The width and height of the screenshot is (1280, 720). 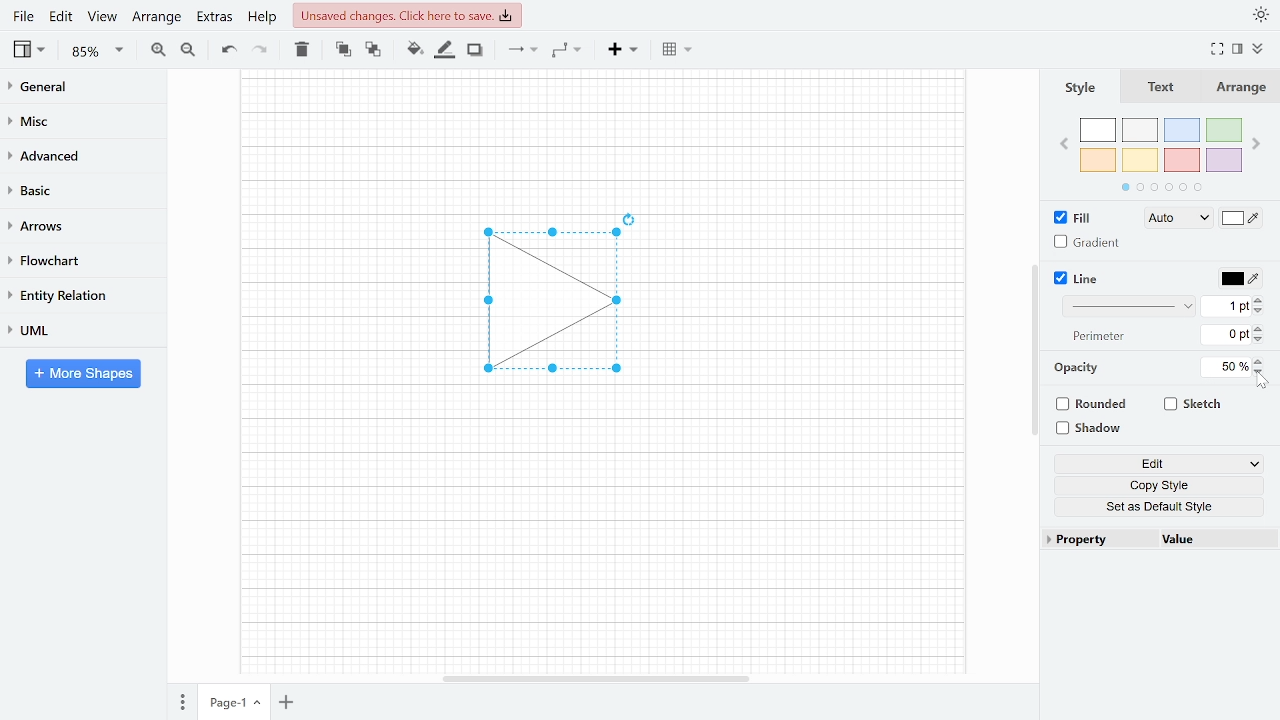 What do you see at coordinates (1261, 372) in the screenshot?
I see `Decrease opacity` at bounding box center [1261, 372].